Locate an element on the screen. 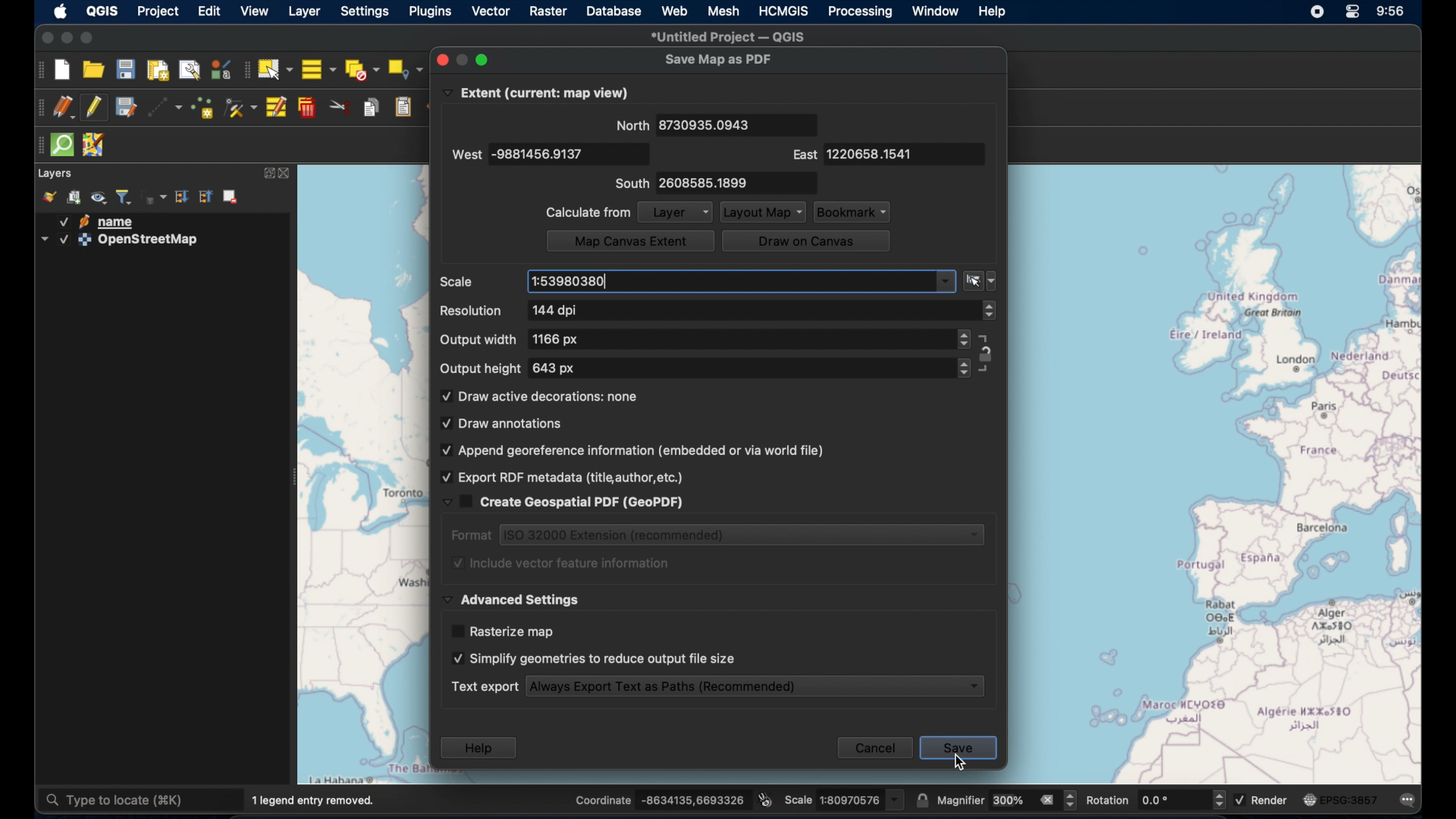  delete selected is located at coordinates (307, 108).